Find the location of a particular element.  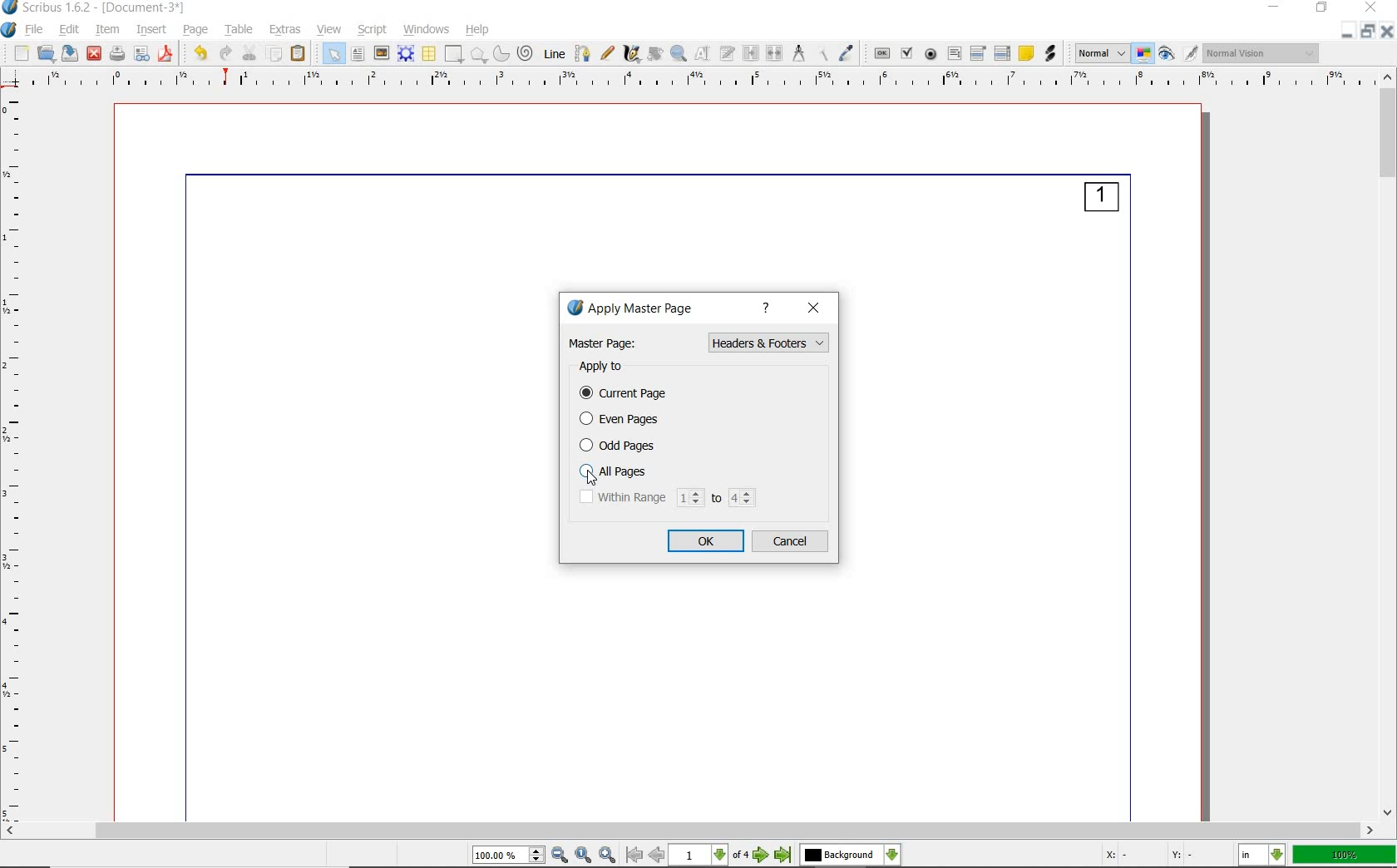

ok is located at coordinates (708, 541).